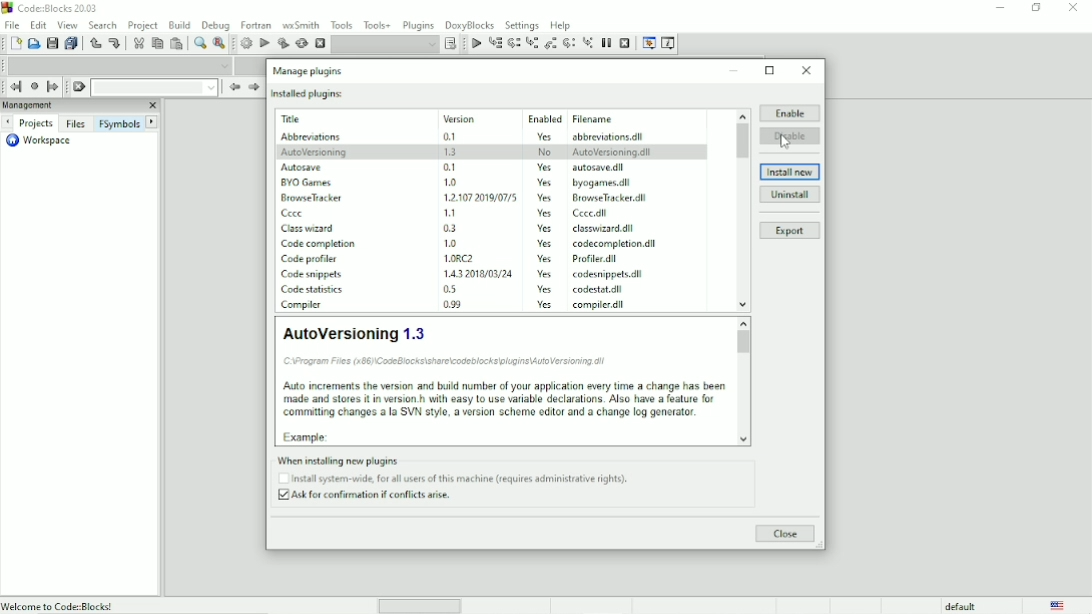 This screenshot has height=614, width=1092. Describe the element at coordinates (570, 44) in the screenshot. I see `Next instruction` at that location.